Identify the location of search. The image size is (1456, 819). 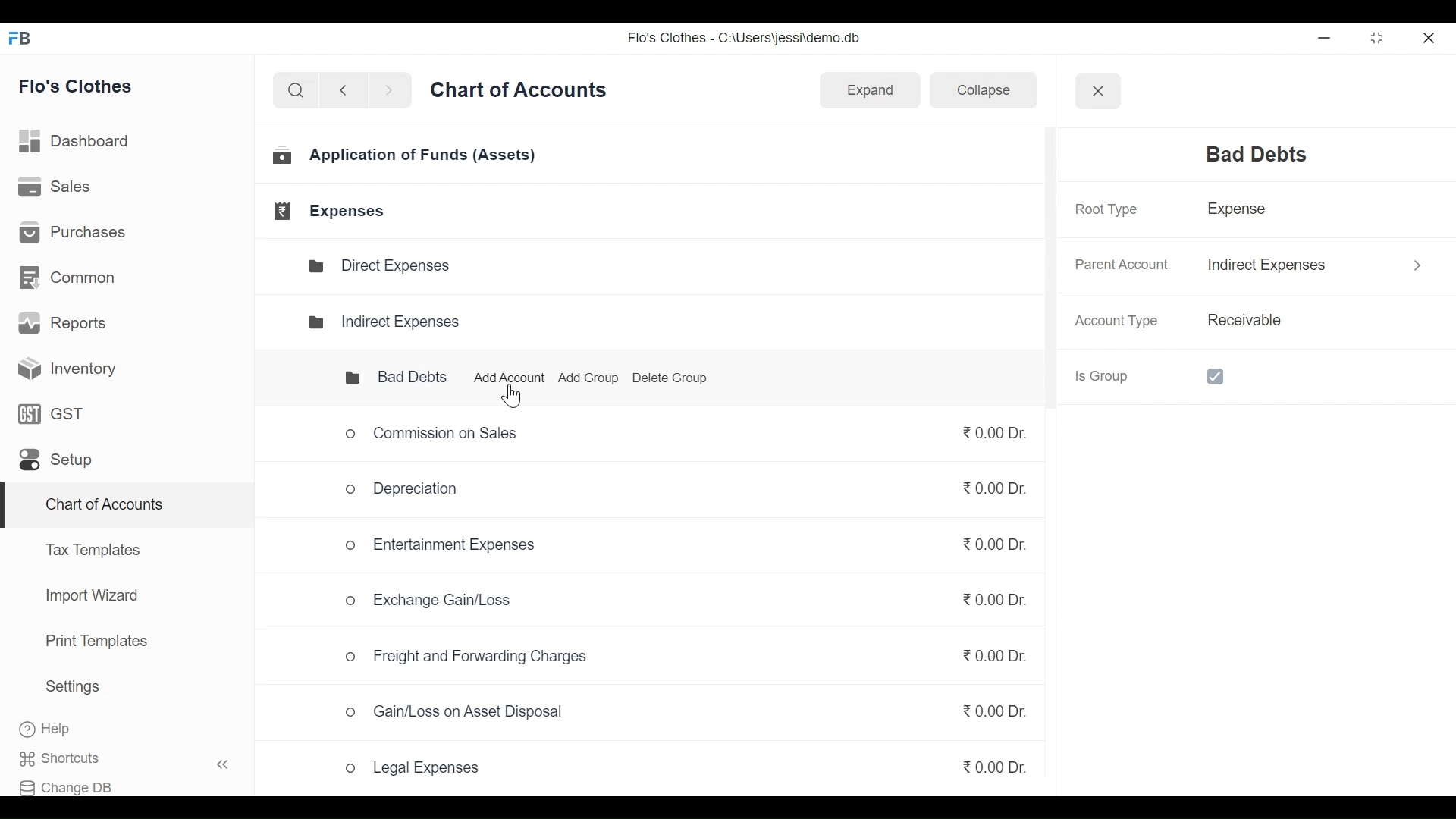
(296, 91).